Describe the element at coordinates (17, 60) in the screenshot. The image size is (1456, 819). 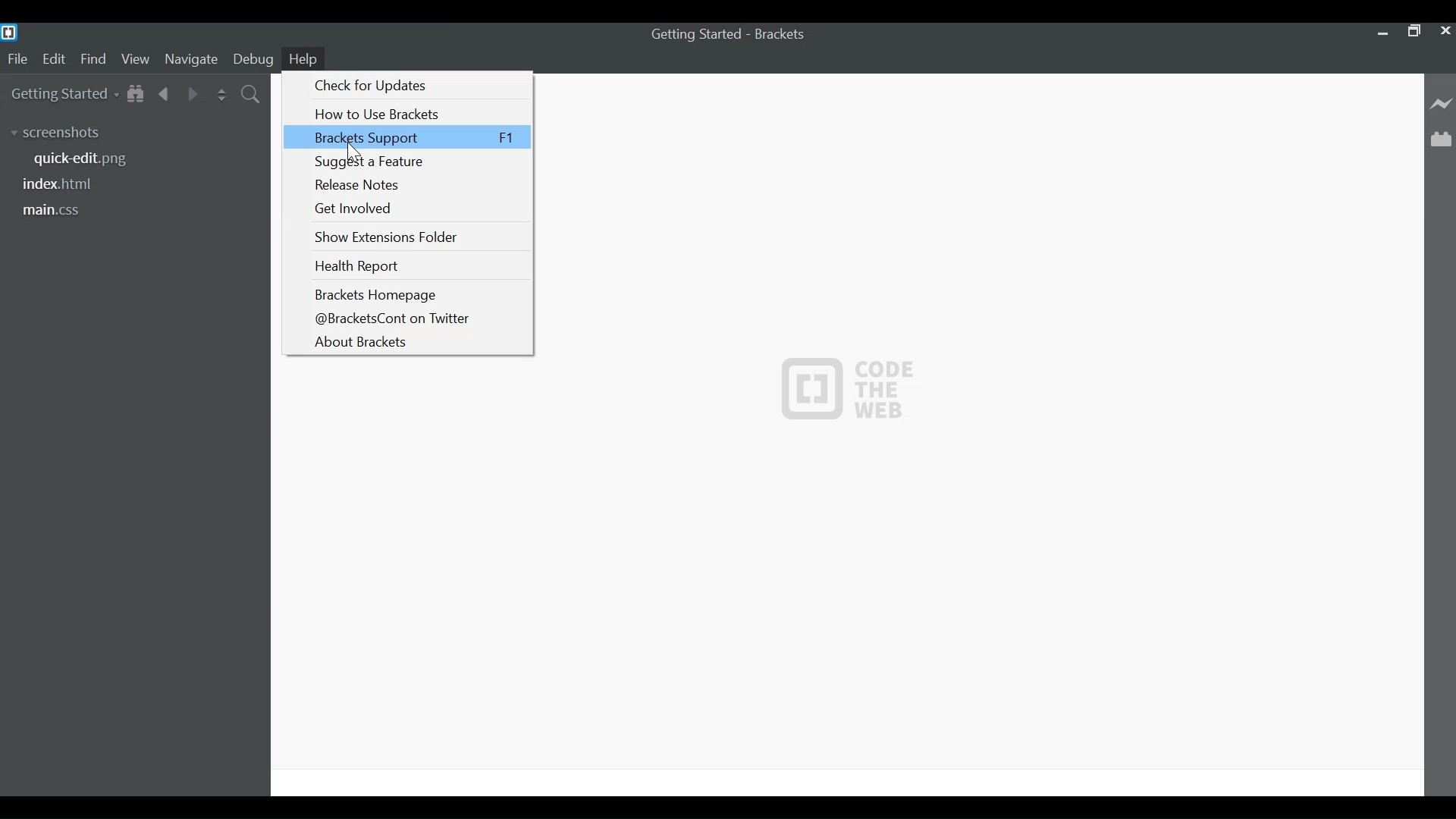
I see `File` at that location.